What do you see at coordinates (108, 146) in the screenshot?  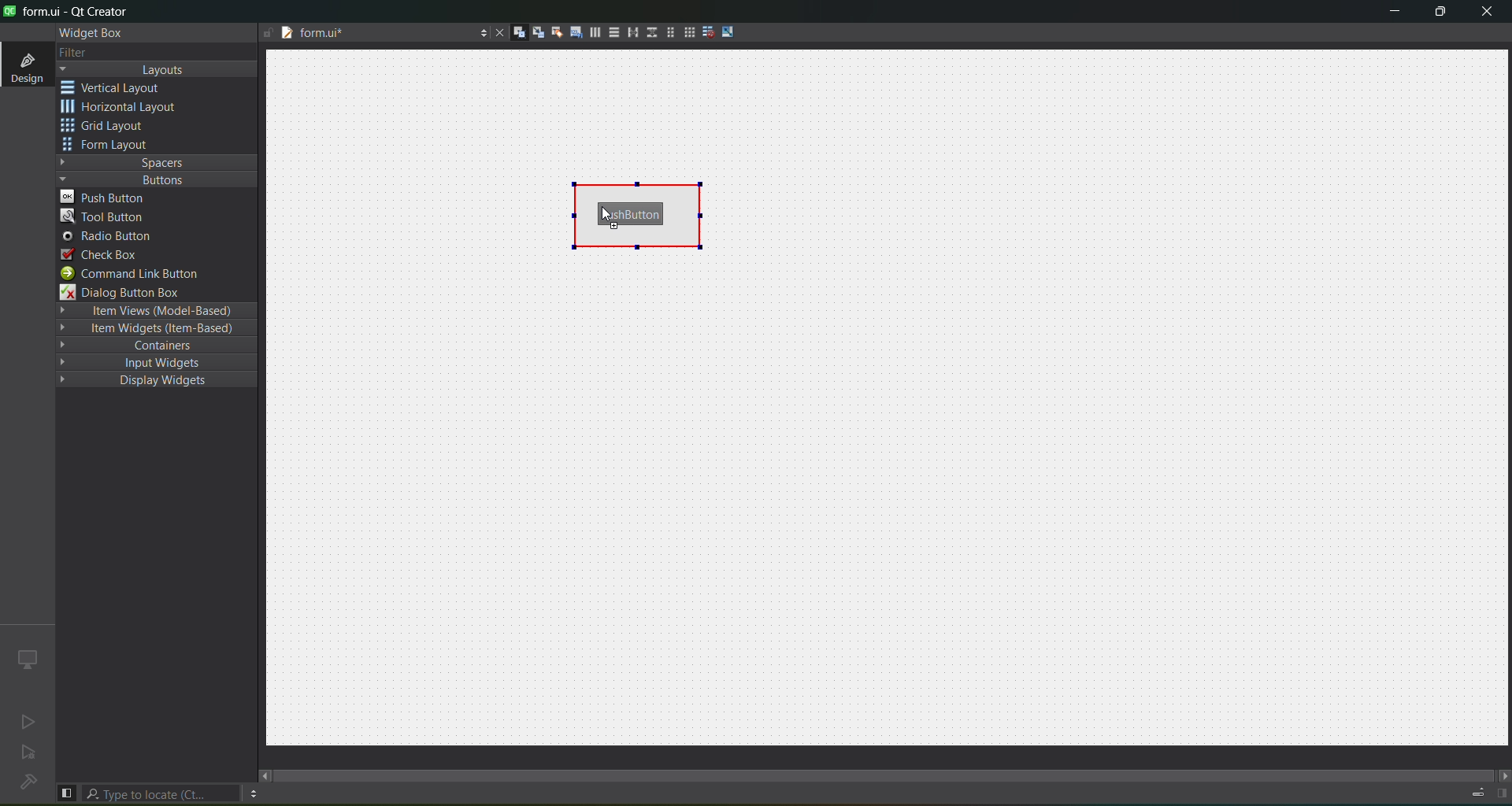 I see `form layout` at bounding box center [108, 146].